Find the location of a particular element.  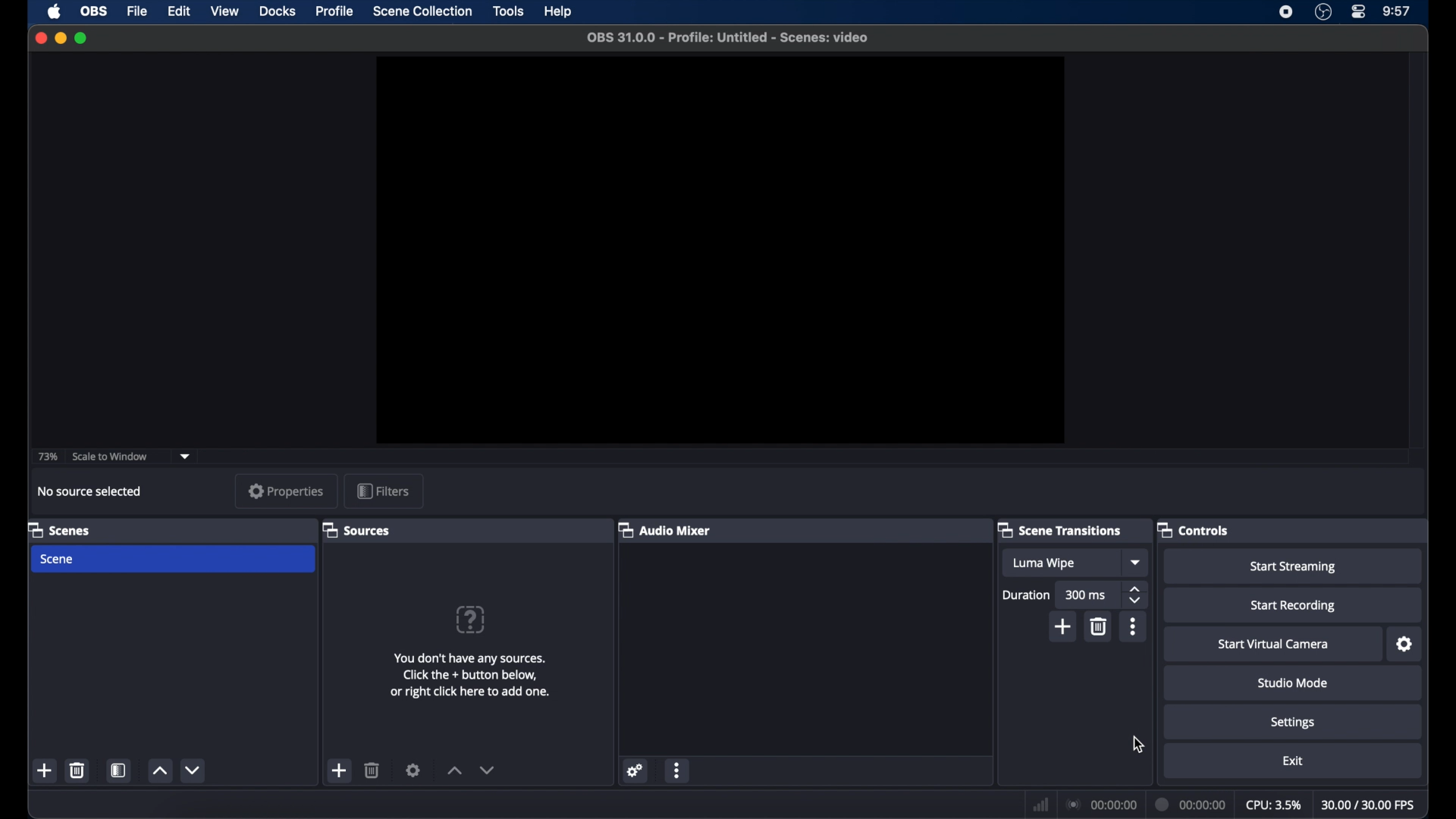

delete is located at coordinates (1100, 626).